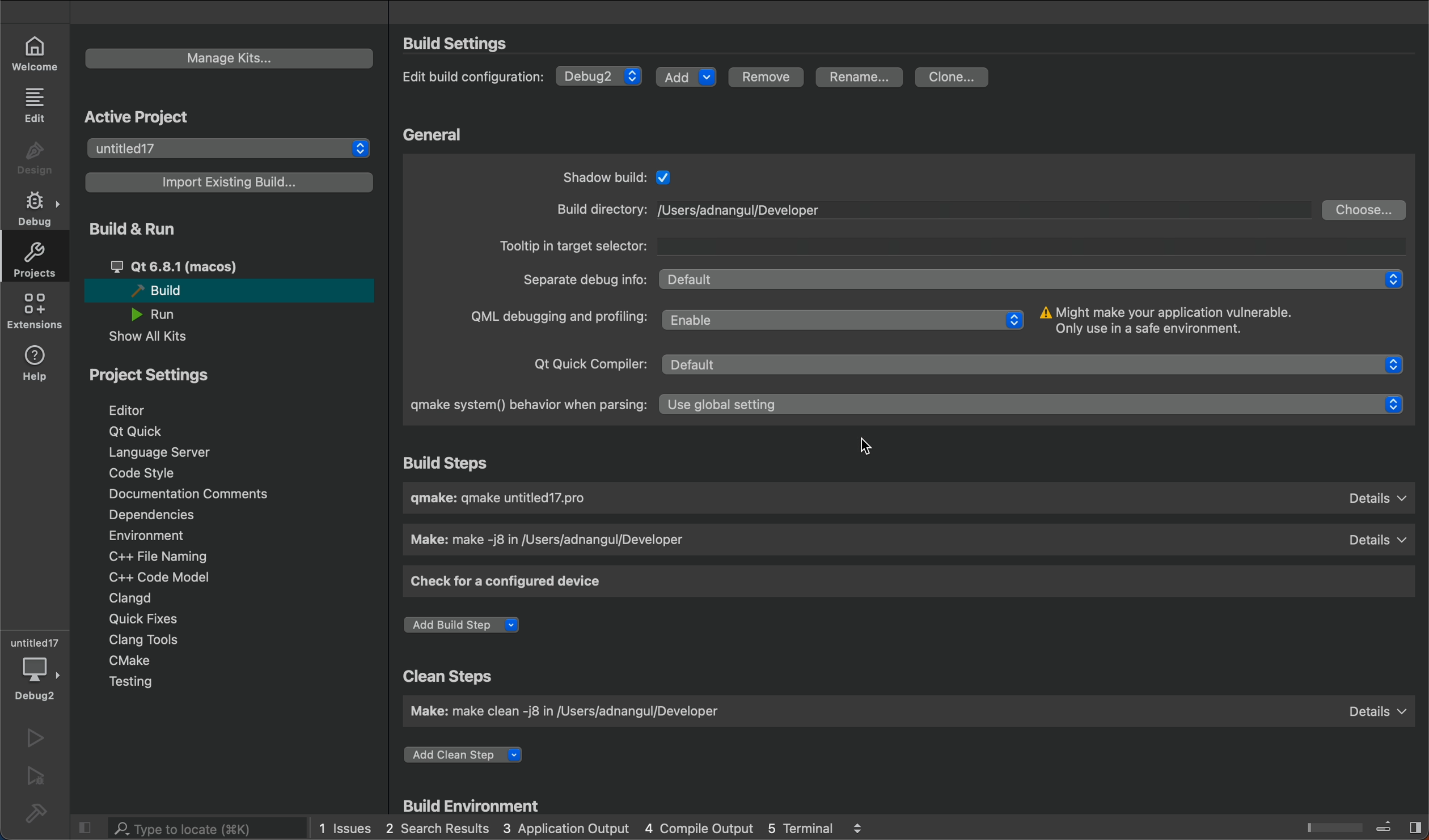 This screenshot has width=1429, height=840. Describe the element at coordinates (142, 411) in the screenshot. I see `editor` at that location.